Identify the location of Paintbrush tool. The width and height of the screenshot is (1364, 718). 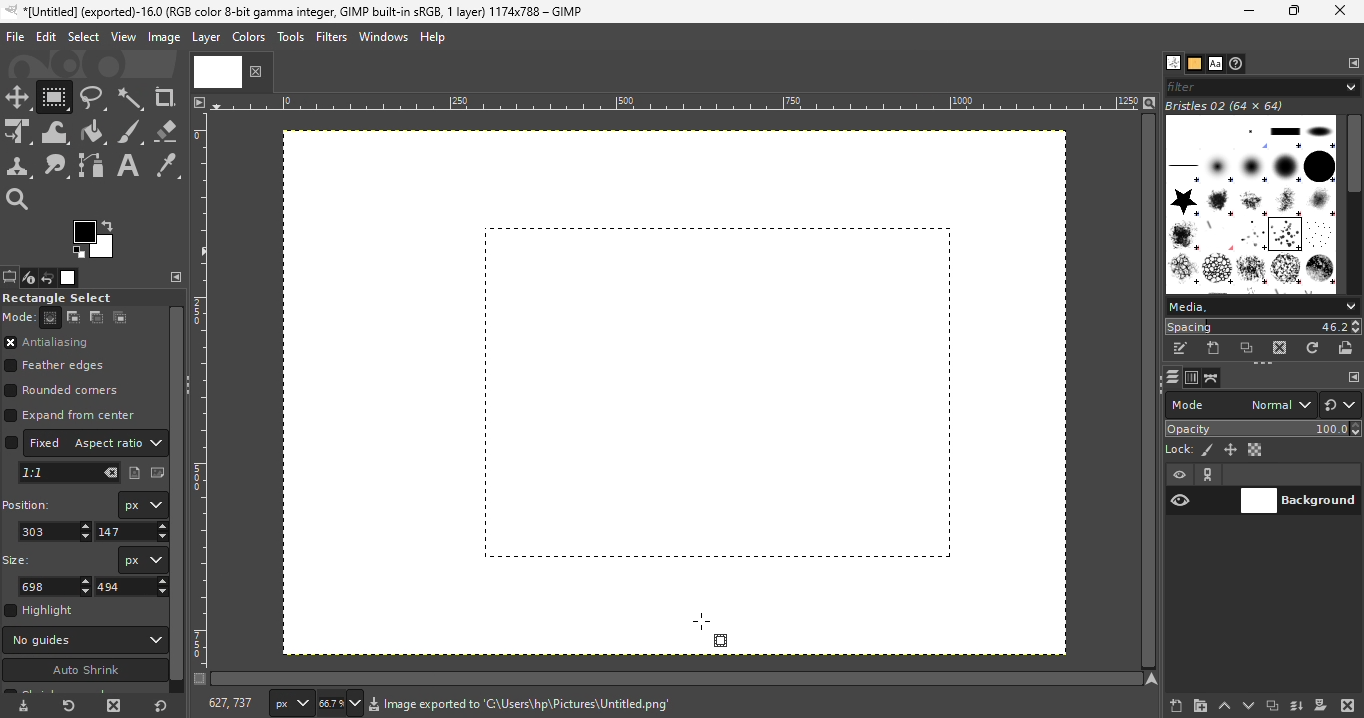
(132, 132).